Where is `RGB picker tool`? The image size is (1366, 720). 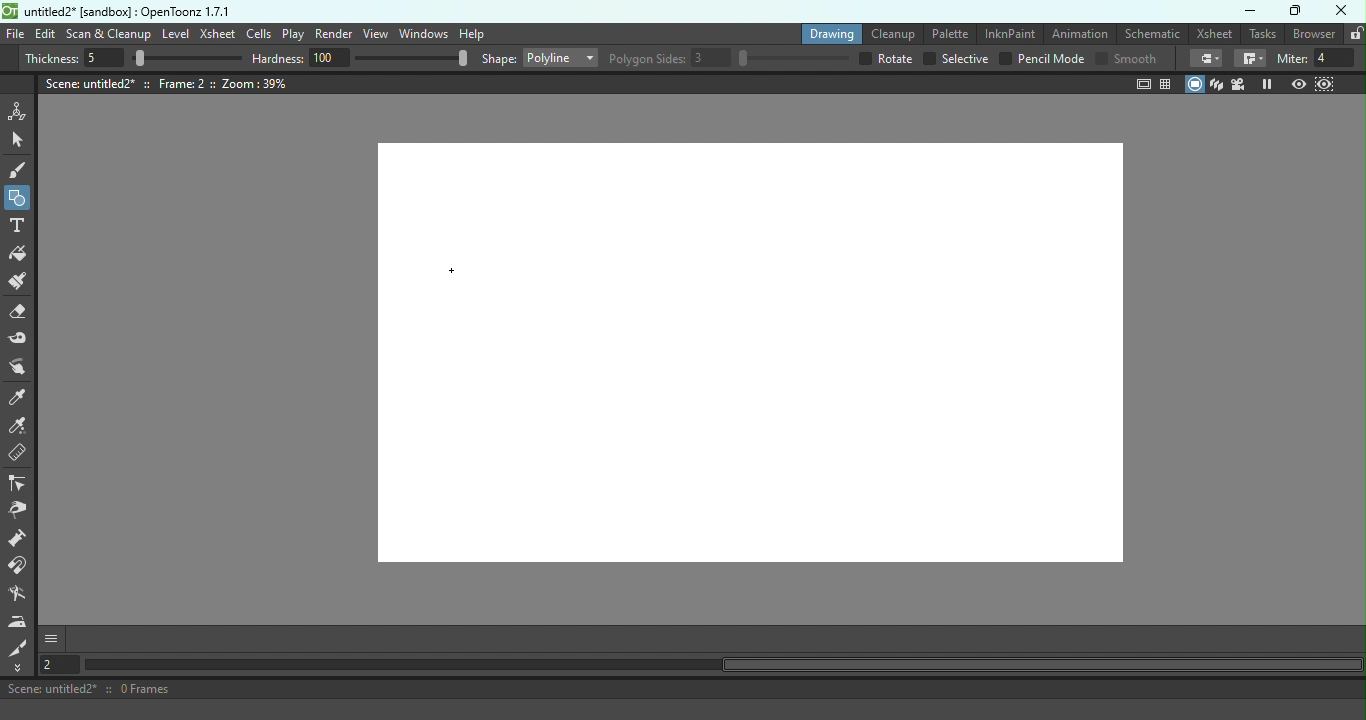
RGB picker tool is located at coordinates (21, 428).